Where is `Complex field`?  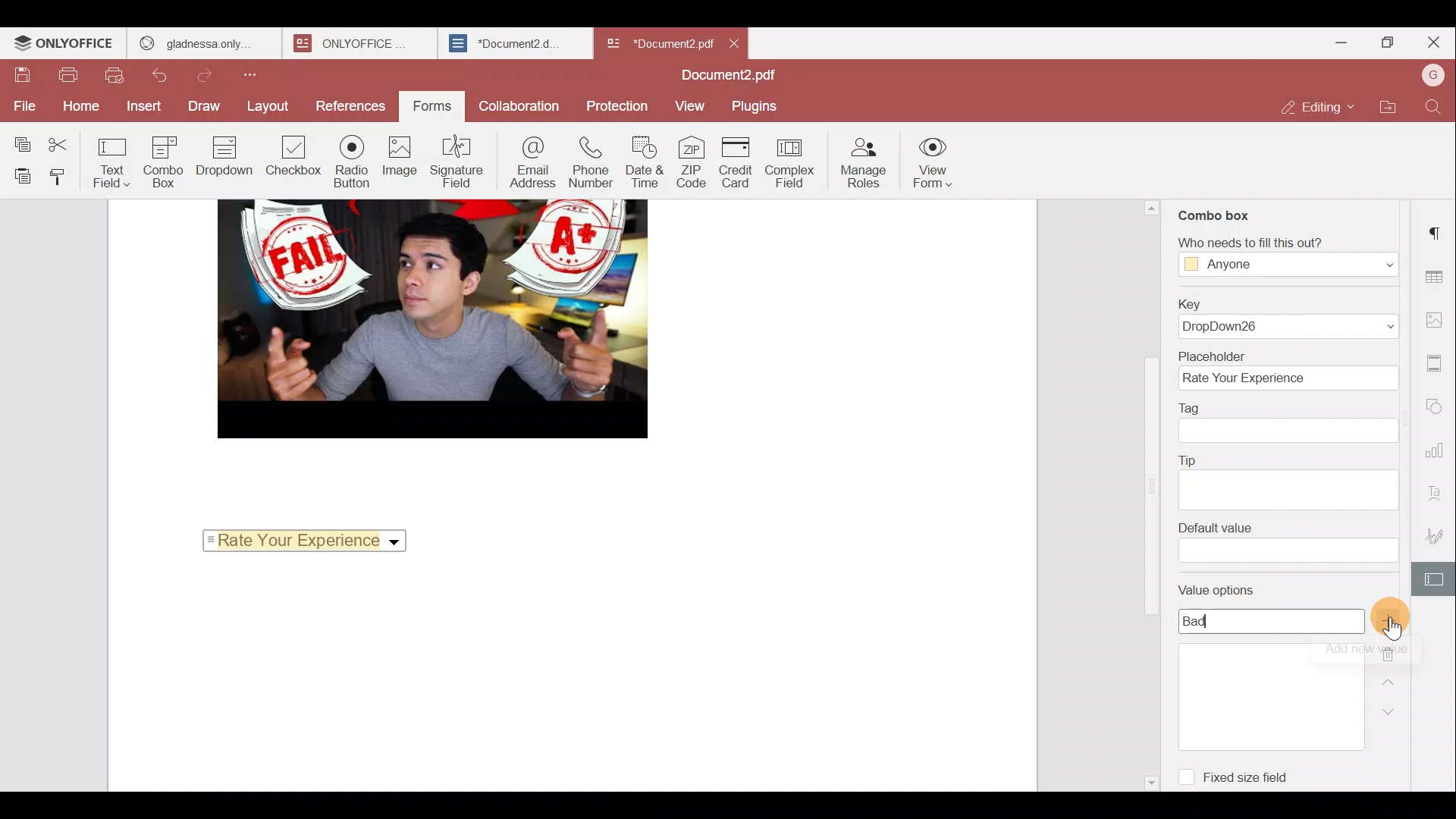
Complex field is located at coordinates (792, 165).